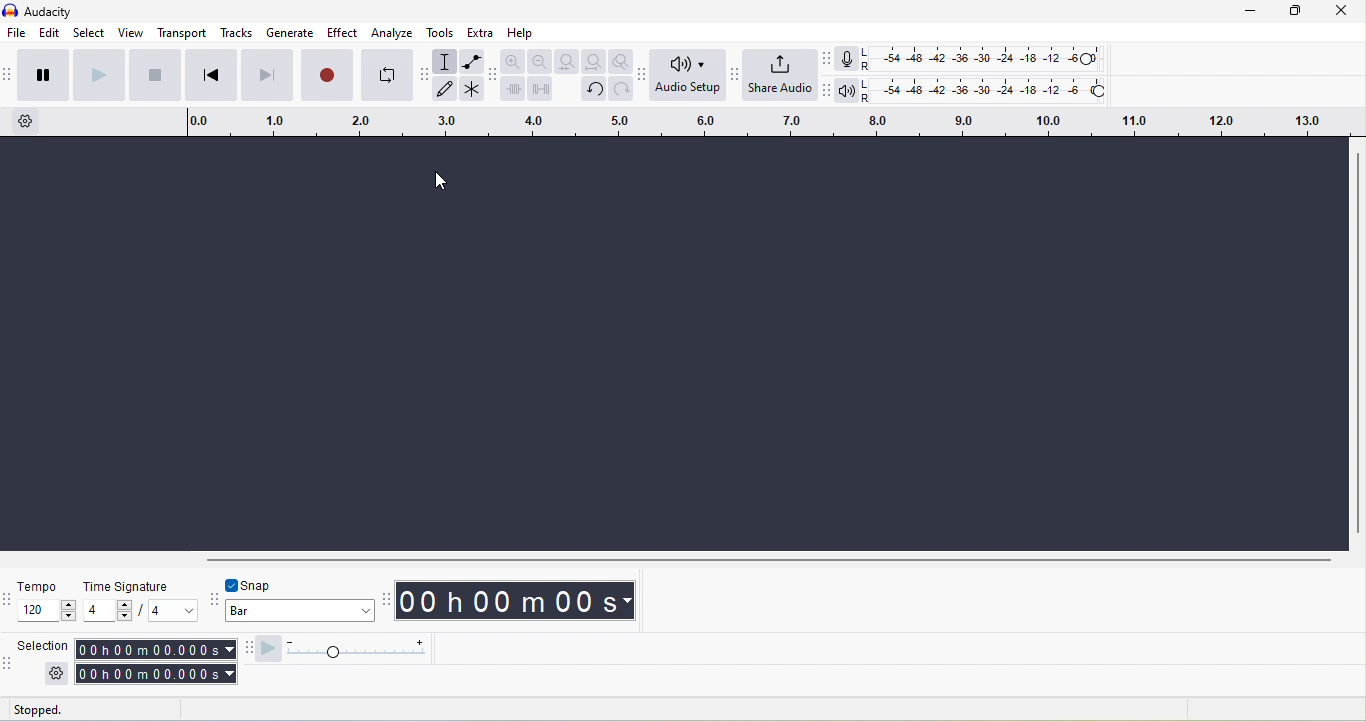  I want to click on tempo, so click(49, 603).